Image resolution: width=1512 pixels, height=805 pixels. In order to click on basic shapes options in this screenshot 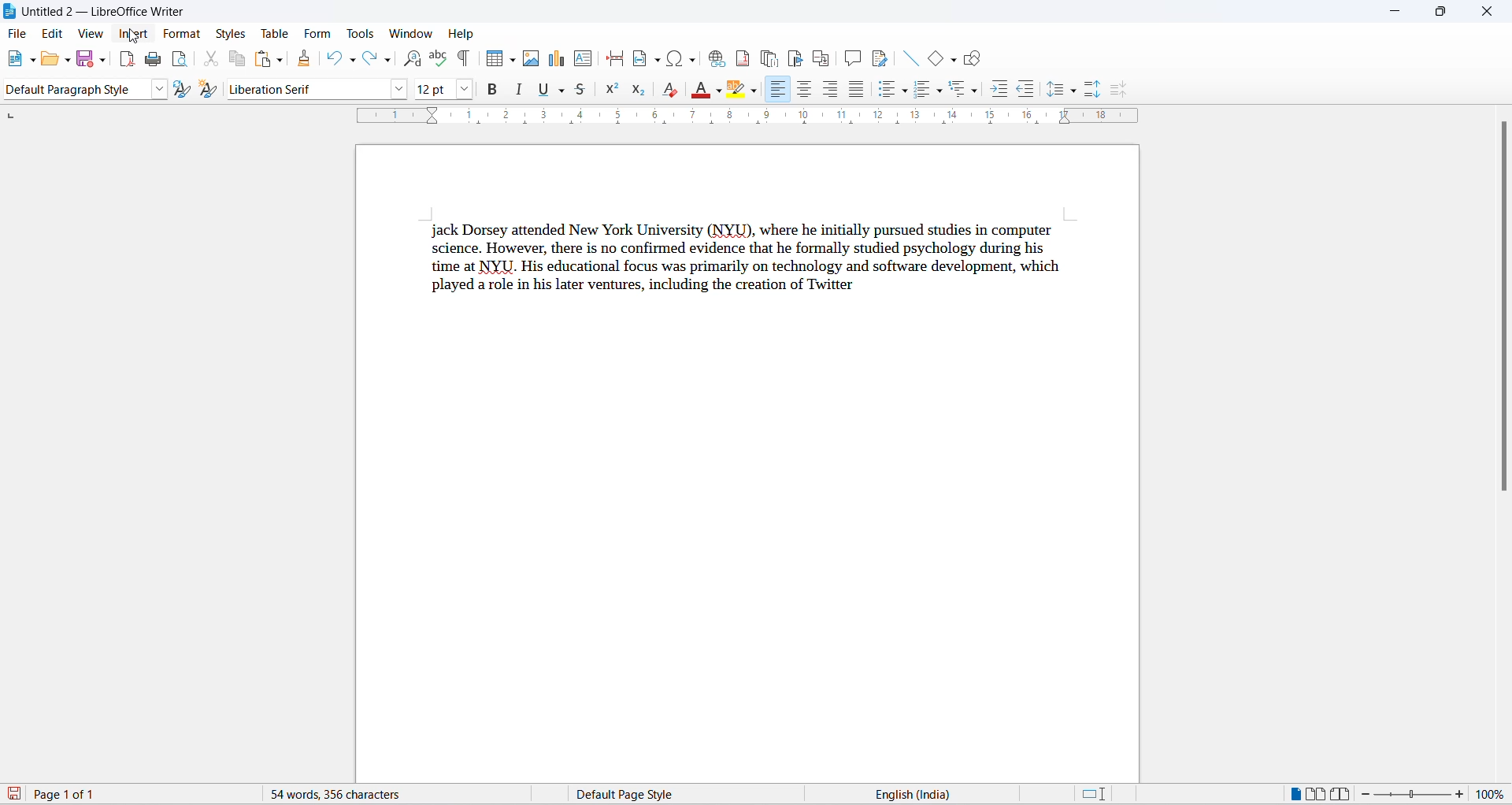, I will do `click(954, 61)`.